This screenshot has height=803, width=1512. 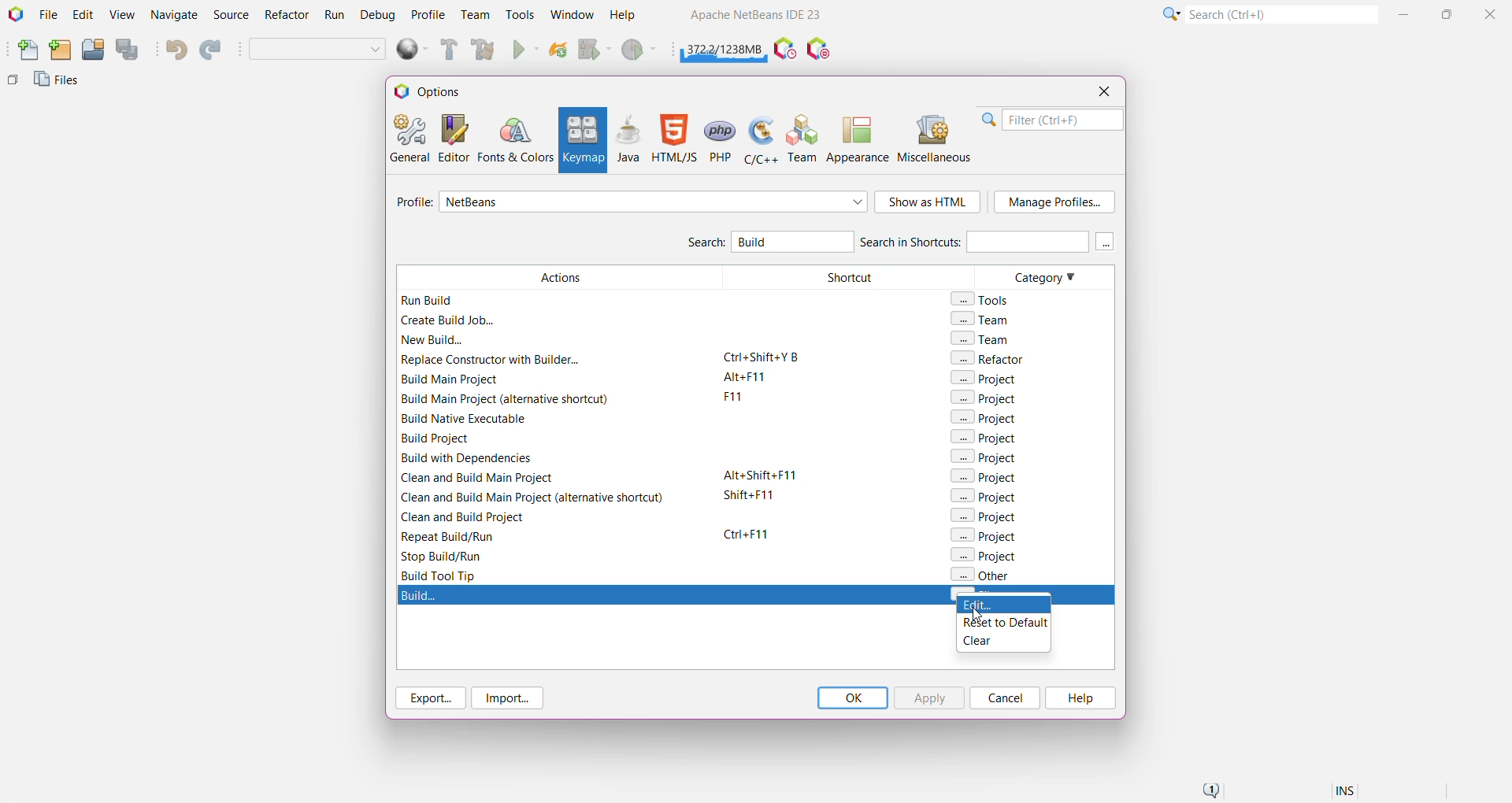 I want to click on General, so click(x=408, y=137).